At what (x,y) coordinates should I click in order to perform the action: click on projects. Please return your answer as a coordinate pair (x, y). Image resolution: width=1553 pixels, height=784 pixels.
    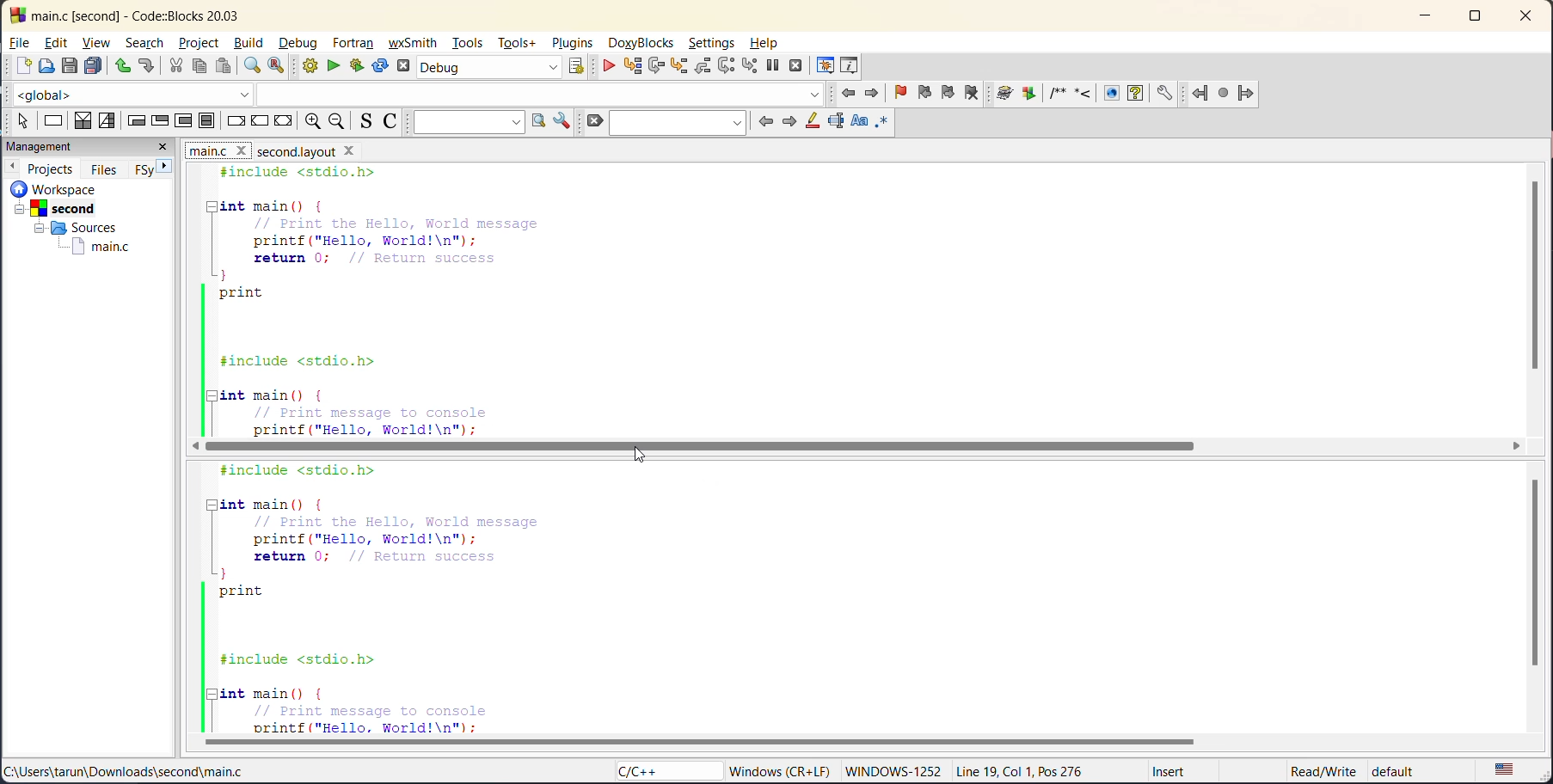
    Looking at the image, I should click on (51, 167).